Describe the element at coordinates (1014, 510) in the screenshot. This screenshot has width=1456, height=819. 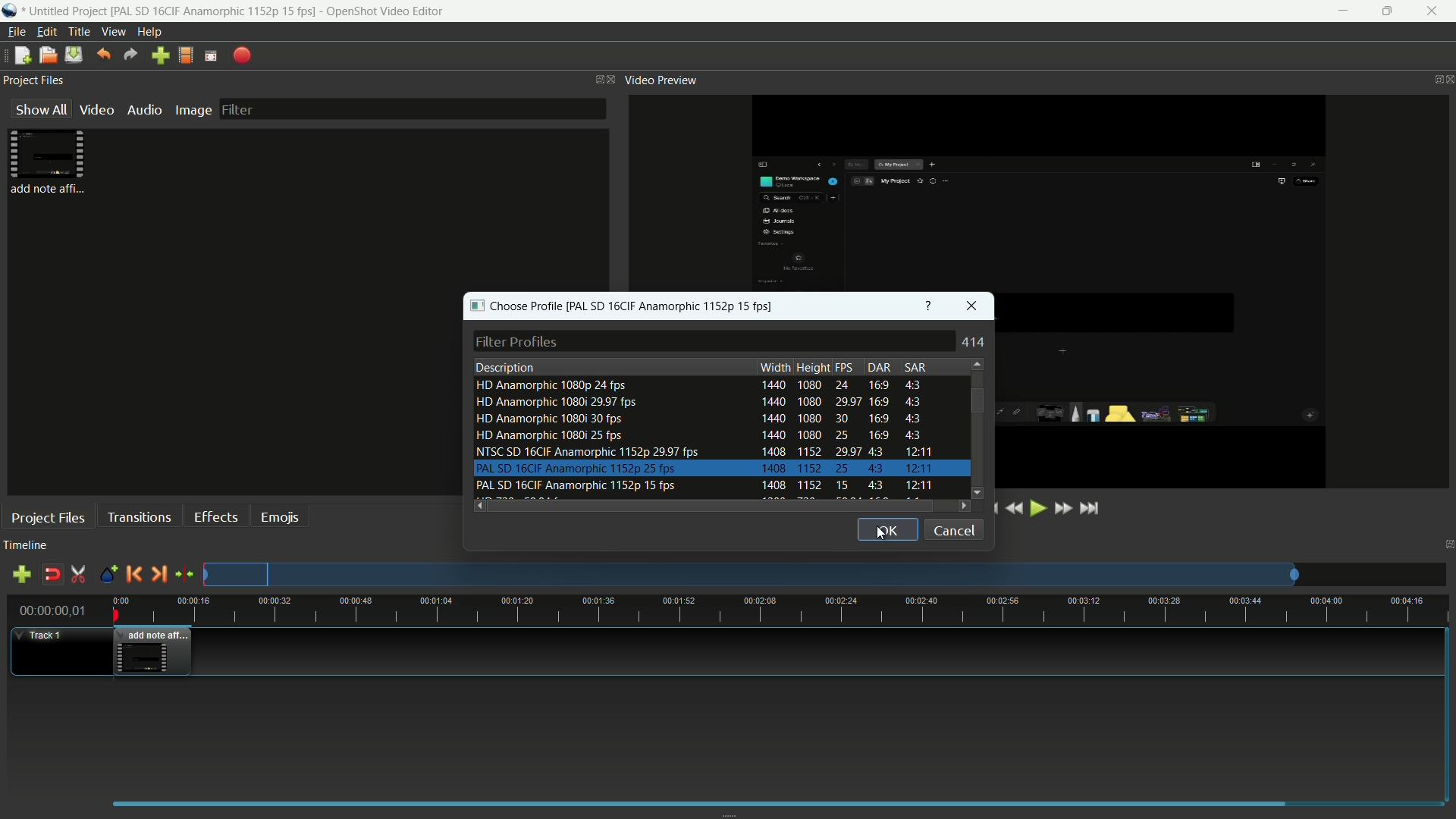
I see `rewind` at that location.